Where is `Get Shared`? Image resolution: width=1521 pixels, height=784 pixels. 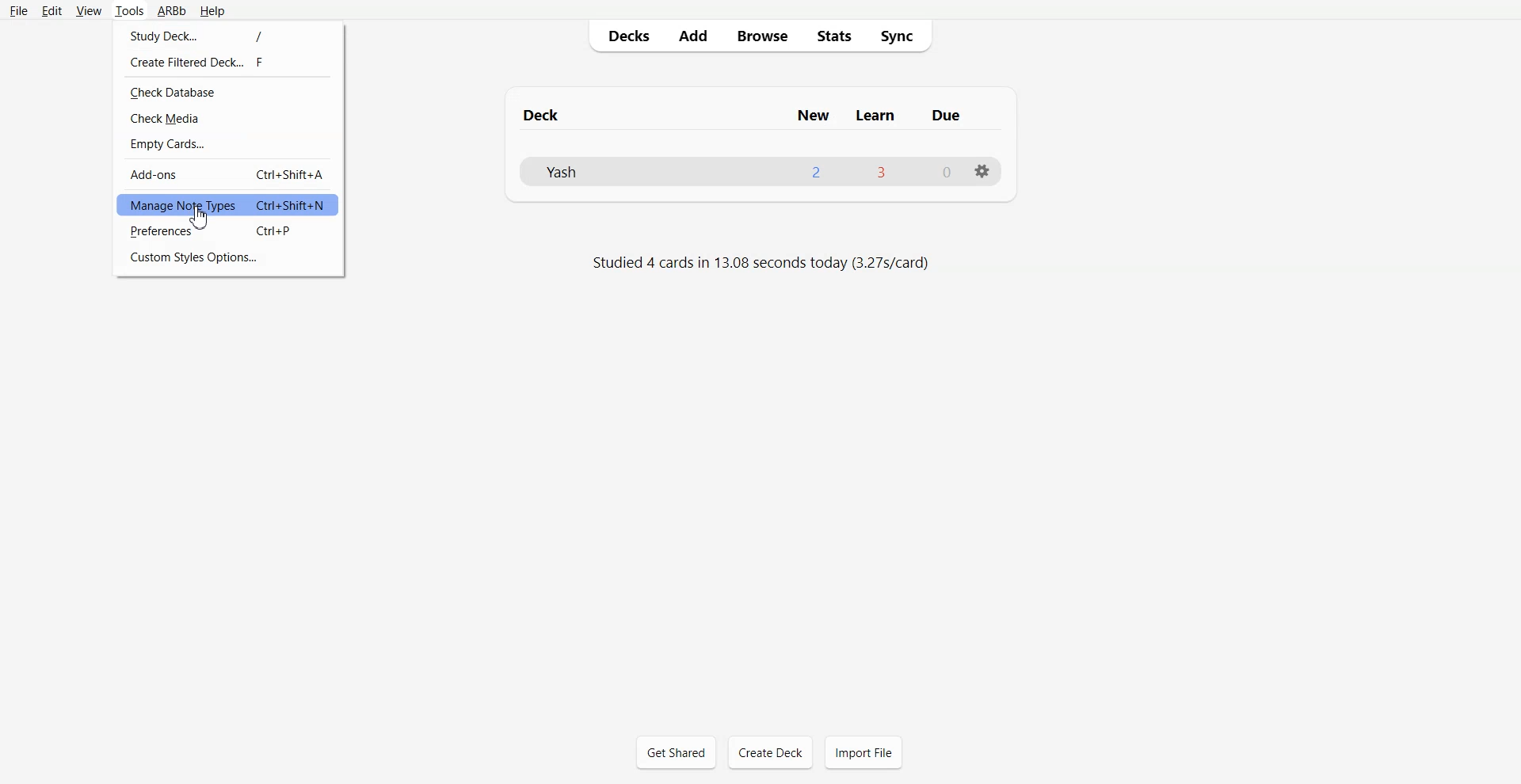
Get Shared is located at coordinates (676, 752).